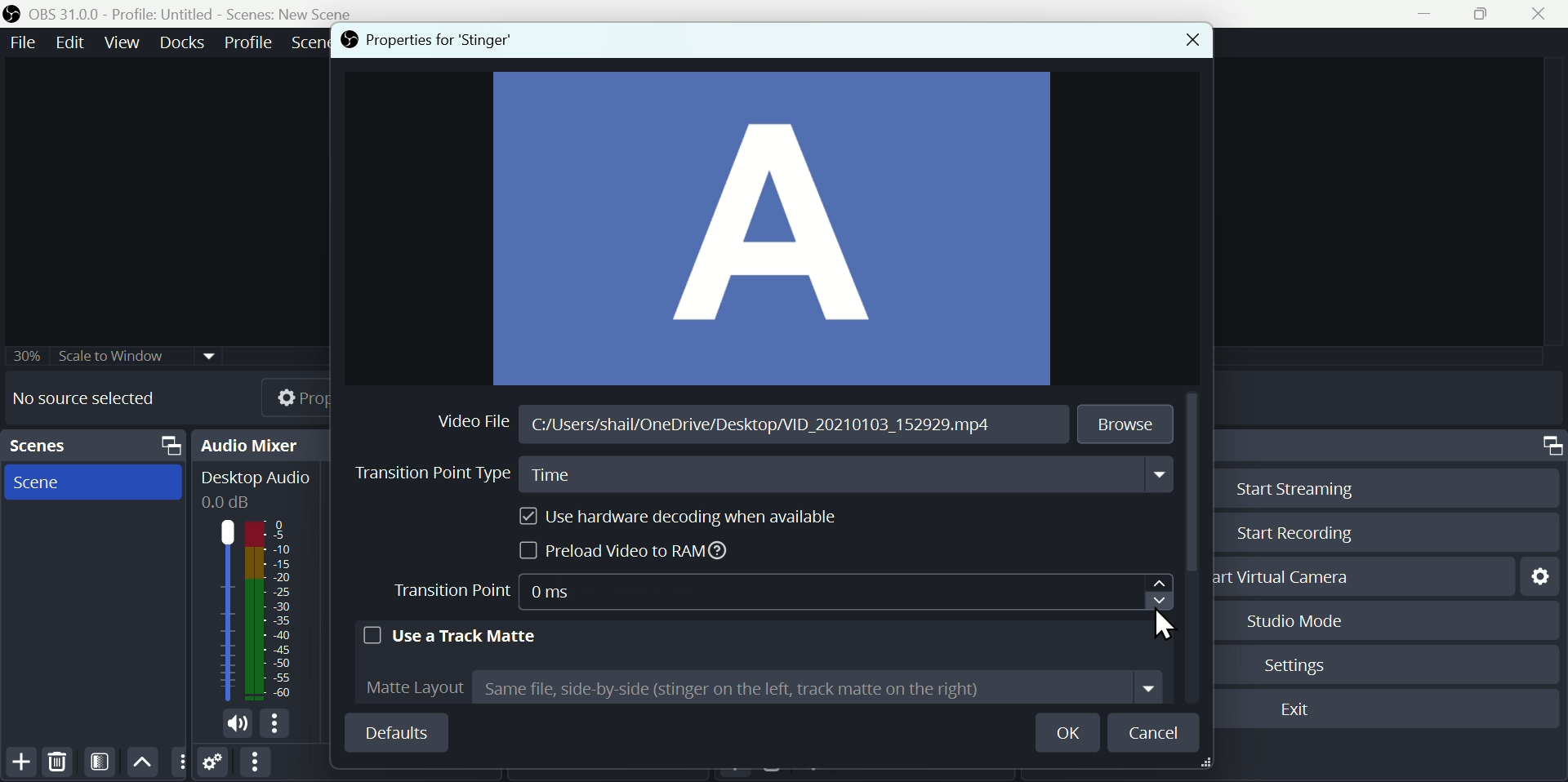 The width and height of the screenshot is (1568, 782). I want to click on volume, so click(233, 725).